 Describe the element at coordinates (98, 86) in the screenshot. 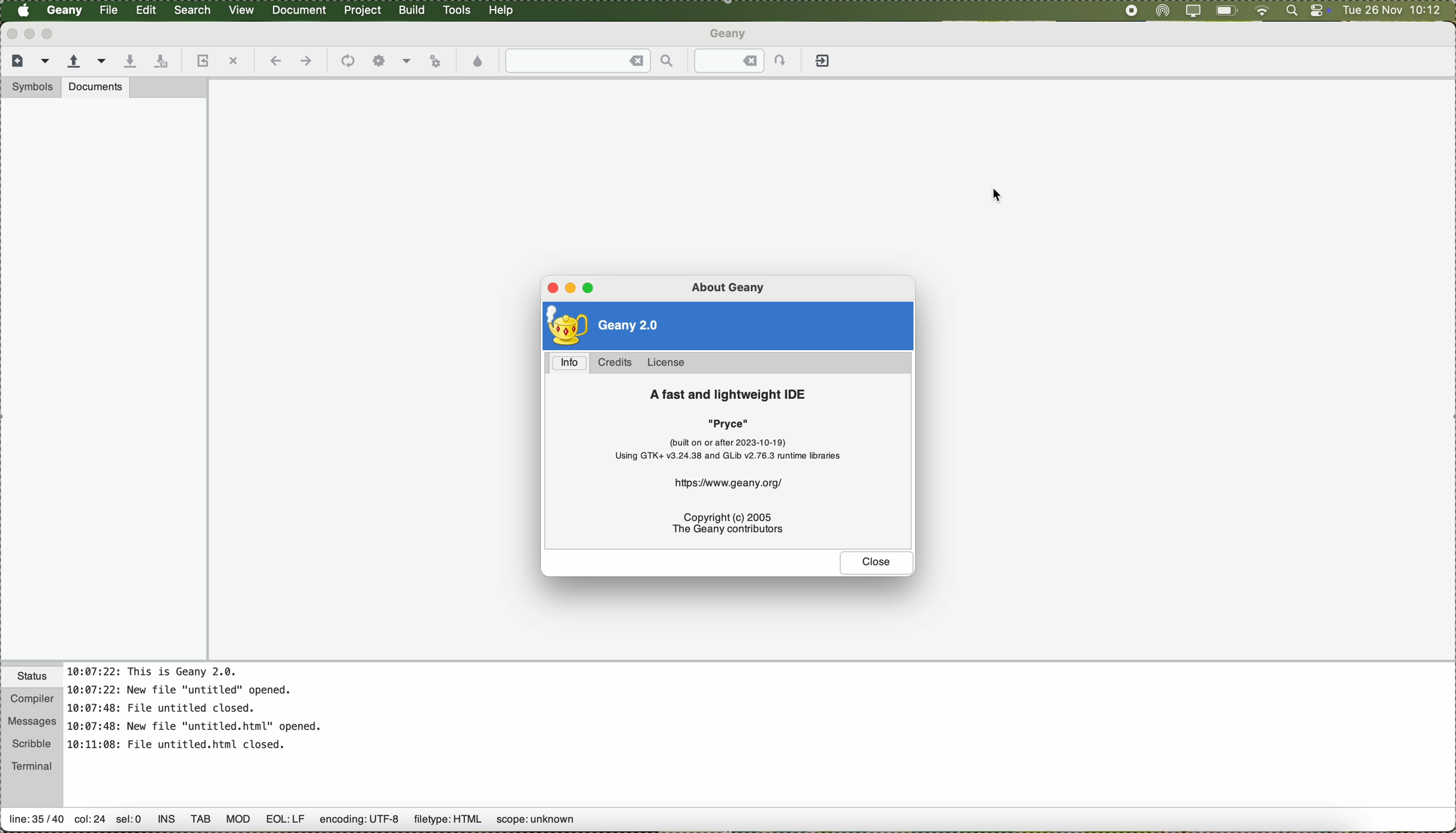

I see `Documents` at that location.